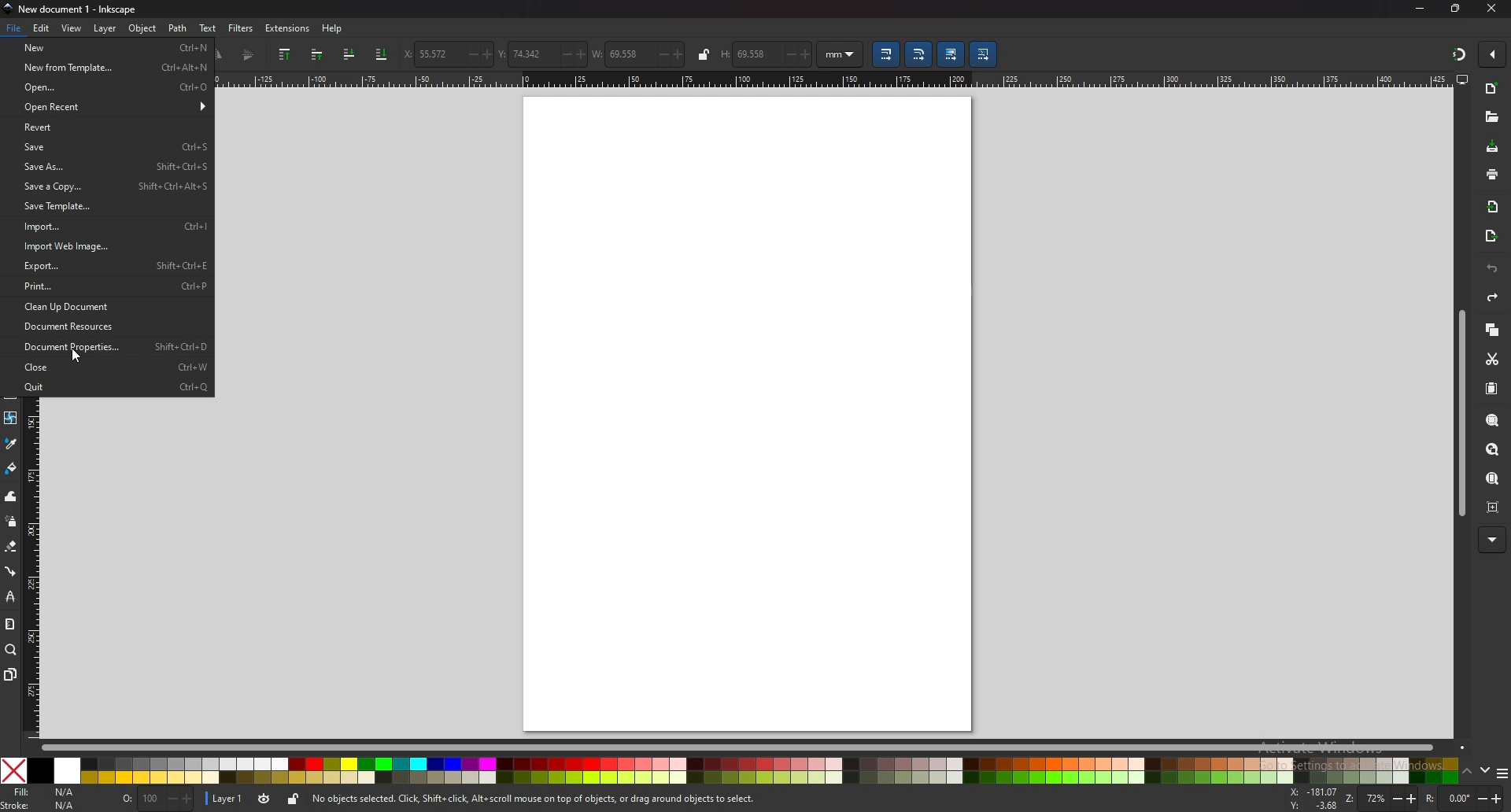 This screenshot has height=812, width=1511. What do you see at coordinates (749, 414) in the screenshot?
I see `blank page` at bounding box center [749, 414].